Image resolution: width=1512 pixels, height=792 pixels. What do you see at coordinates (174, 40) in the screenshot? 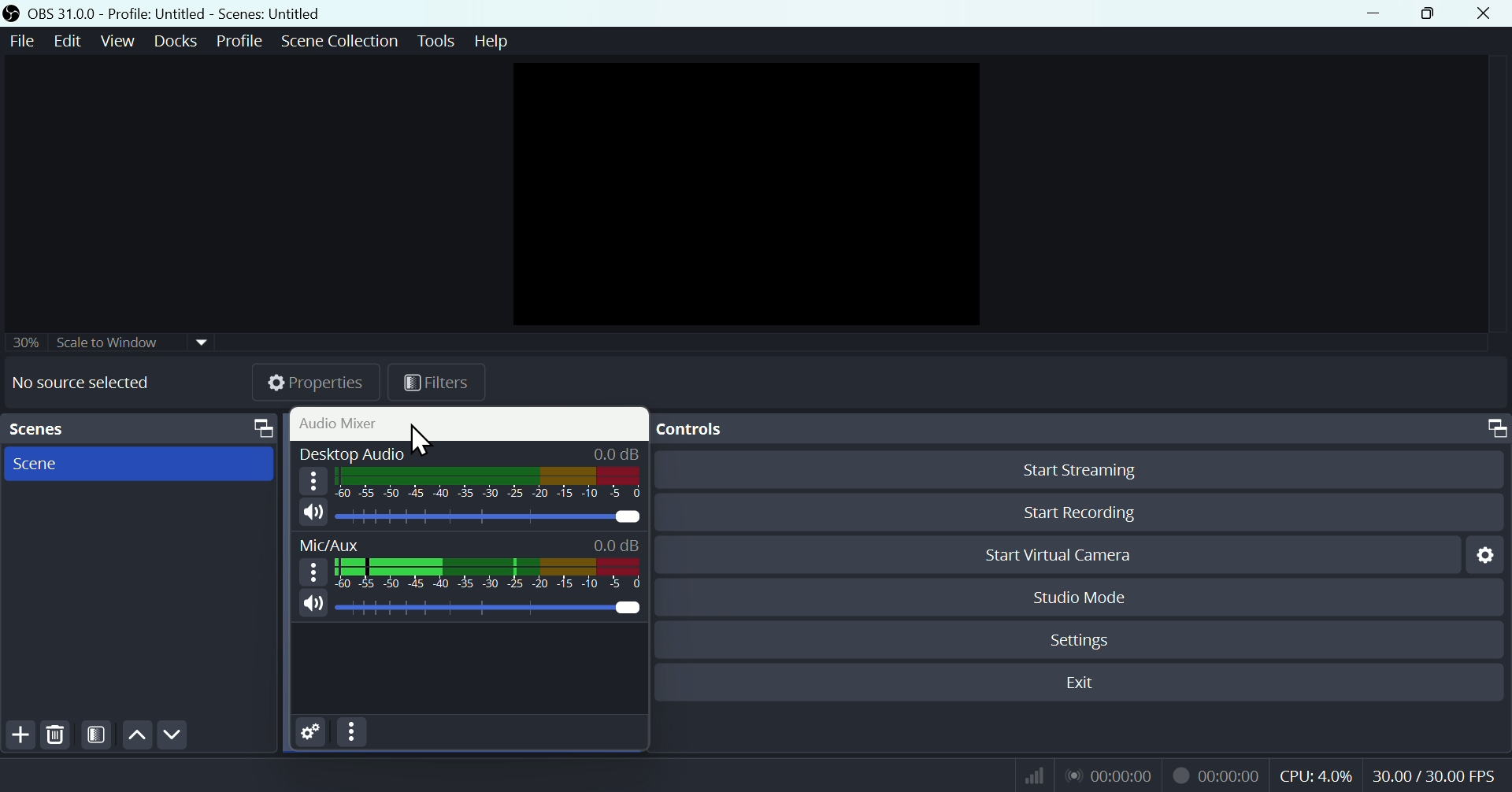
I see `Docks` at bounding box center [174, 40].